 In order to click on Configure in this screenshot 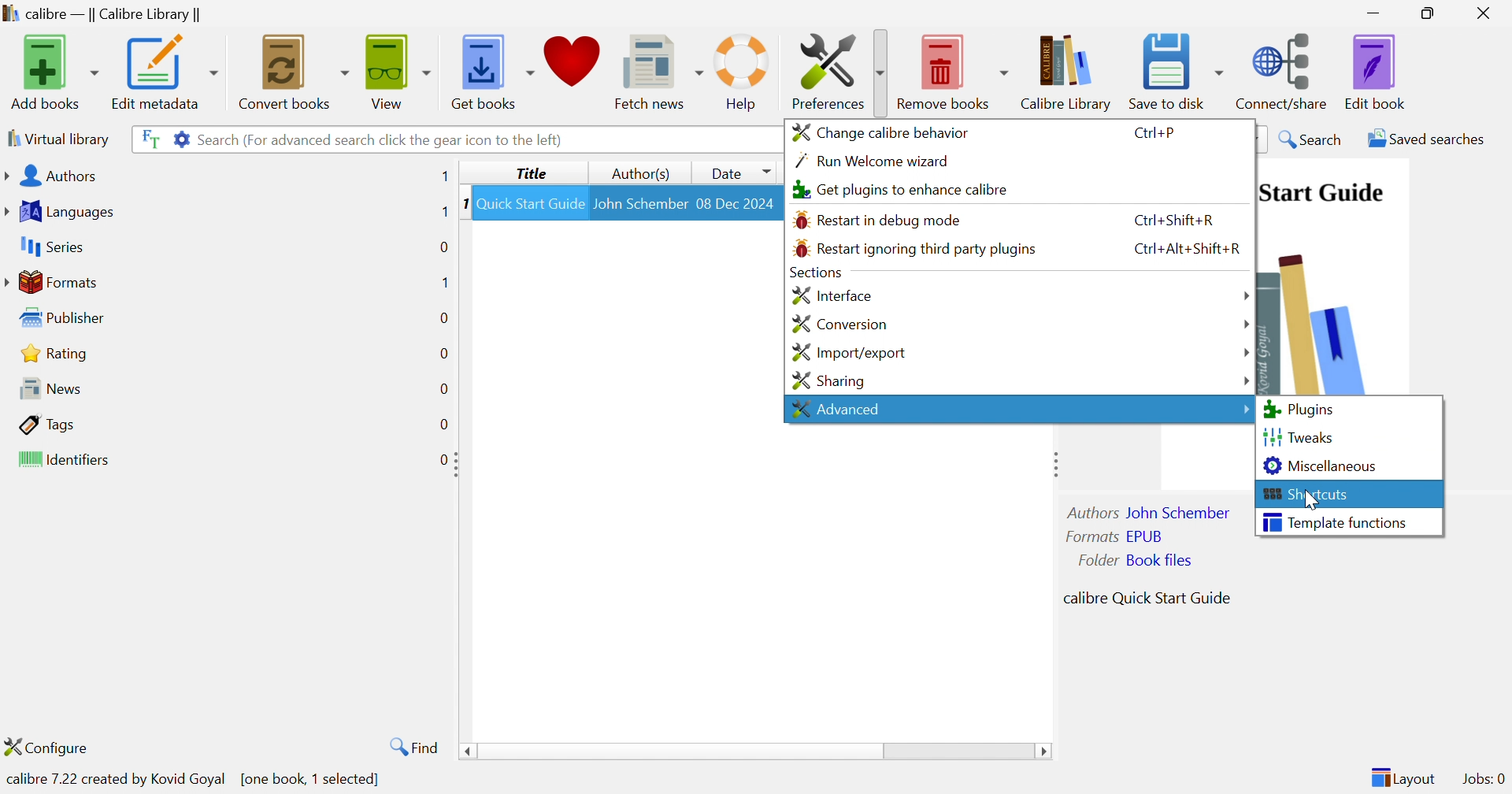, I will do `click(53, 747)`.